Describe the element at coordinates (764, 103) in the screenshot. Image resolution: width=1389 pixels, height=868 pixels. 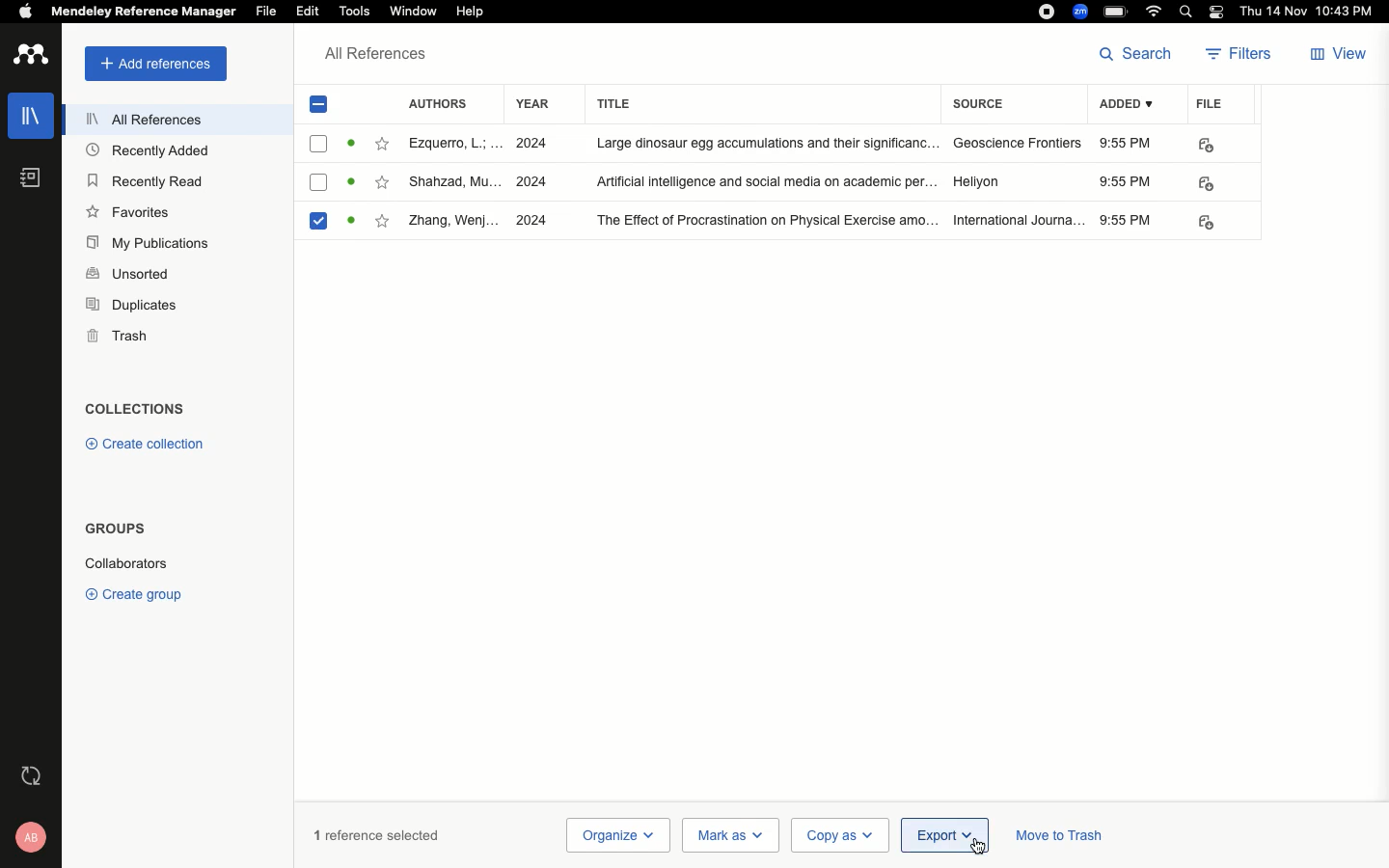
I see `Title` at that location.